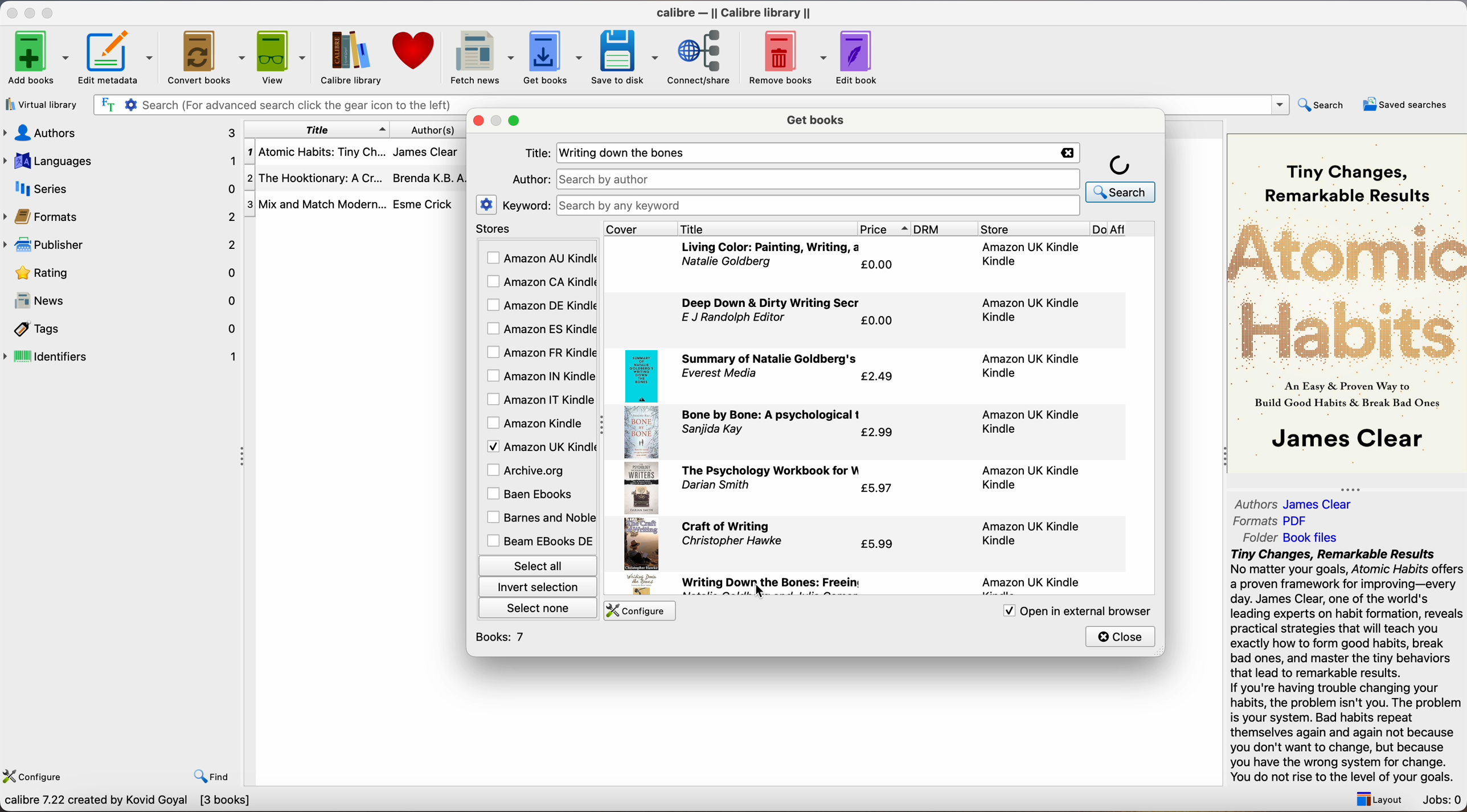 The image size is (1467, 812). Describe the element at coordinates (877, 433) in the screenshot. I see `€2.99` at that location.